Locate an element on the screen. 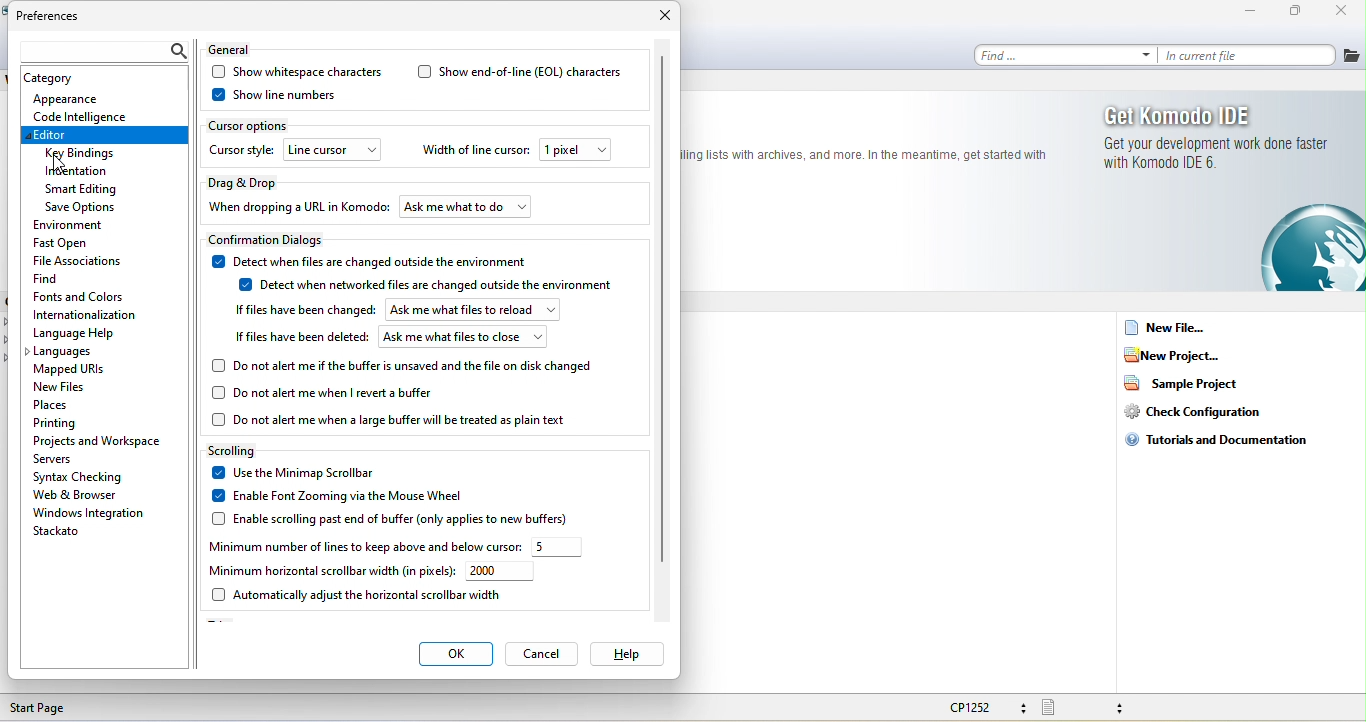 The width and height of the screenshot is (1366, 722). cursor movement is located at coordinates (63, 167).